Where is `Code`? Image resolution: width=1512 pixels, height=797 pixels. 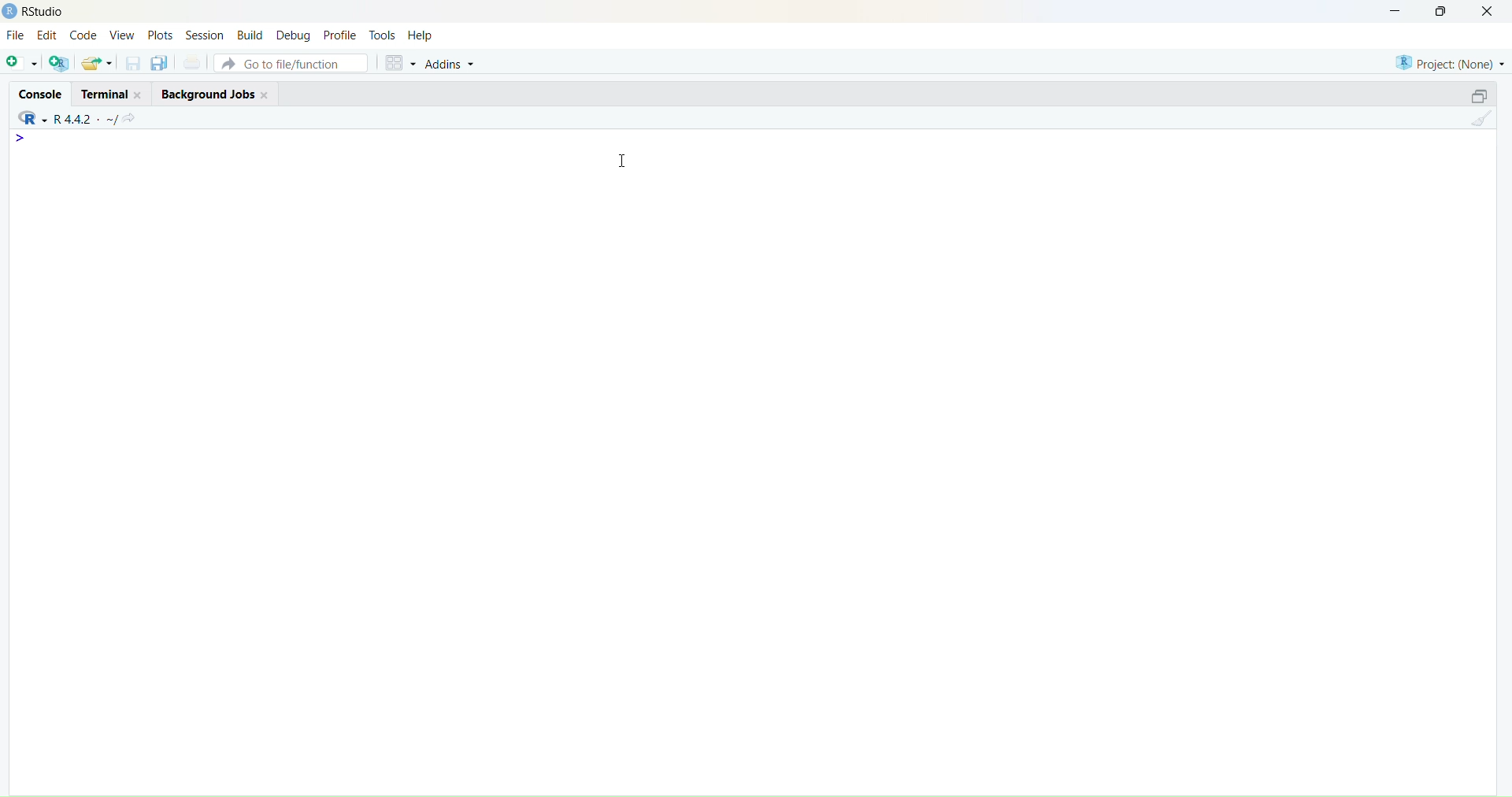
Code is located at coordinates (84, 36).